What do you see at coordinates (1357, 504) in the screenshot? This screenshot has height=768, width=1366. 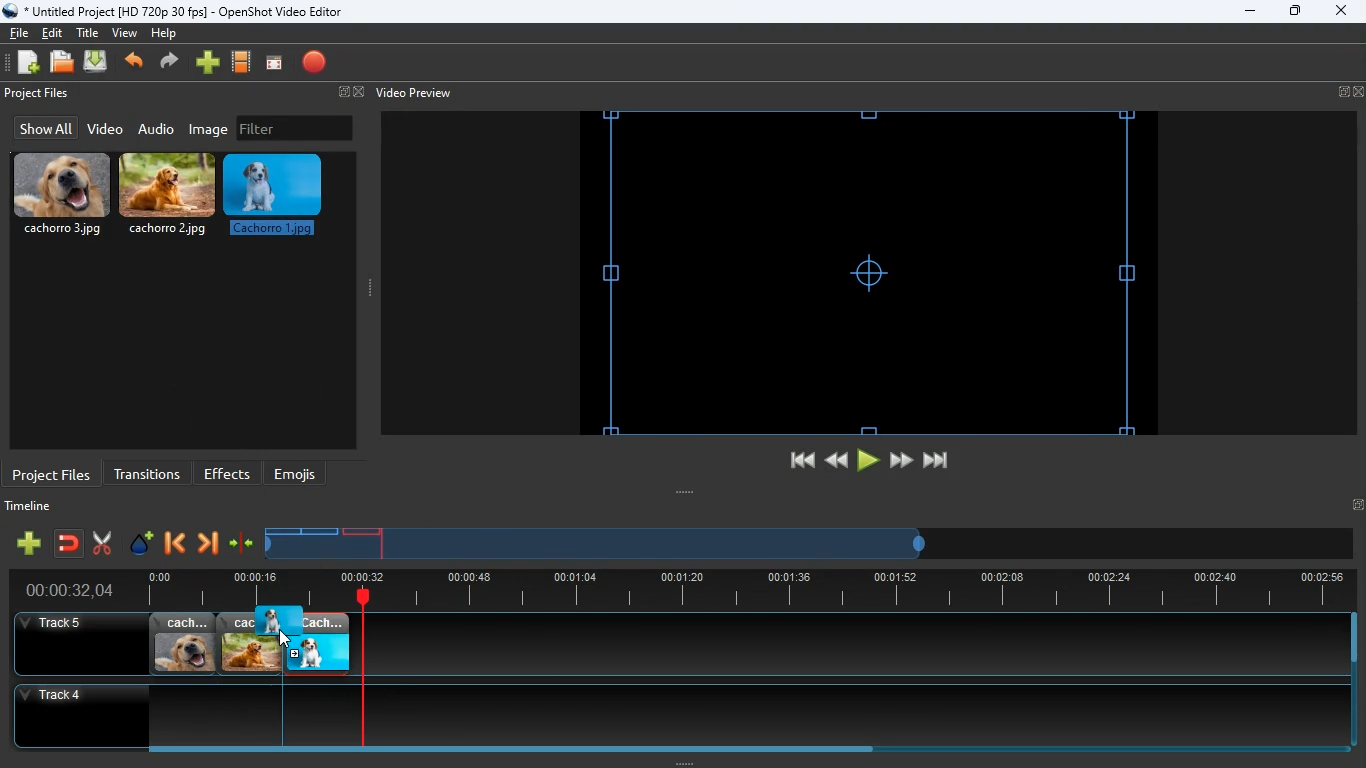 I see `Fullscreen` at bounding box center [1357, 504].